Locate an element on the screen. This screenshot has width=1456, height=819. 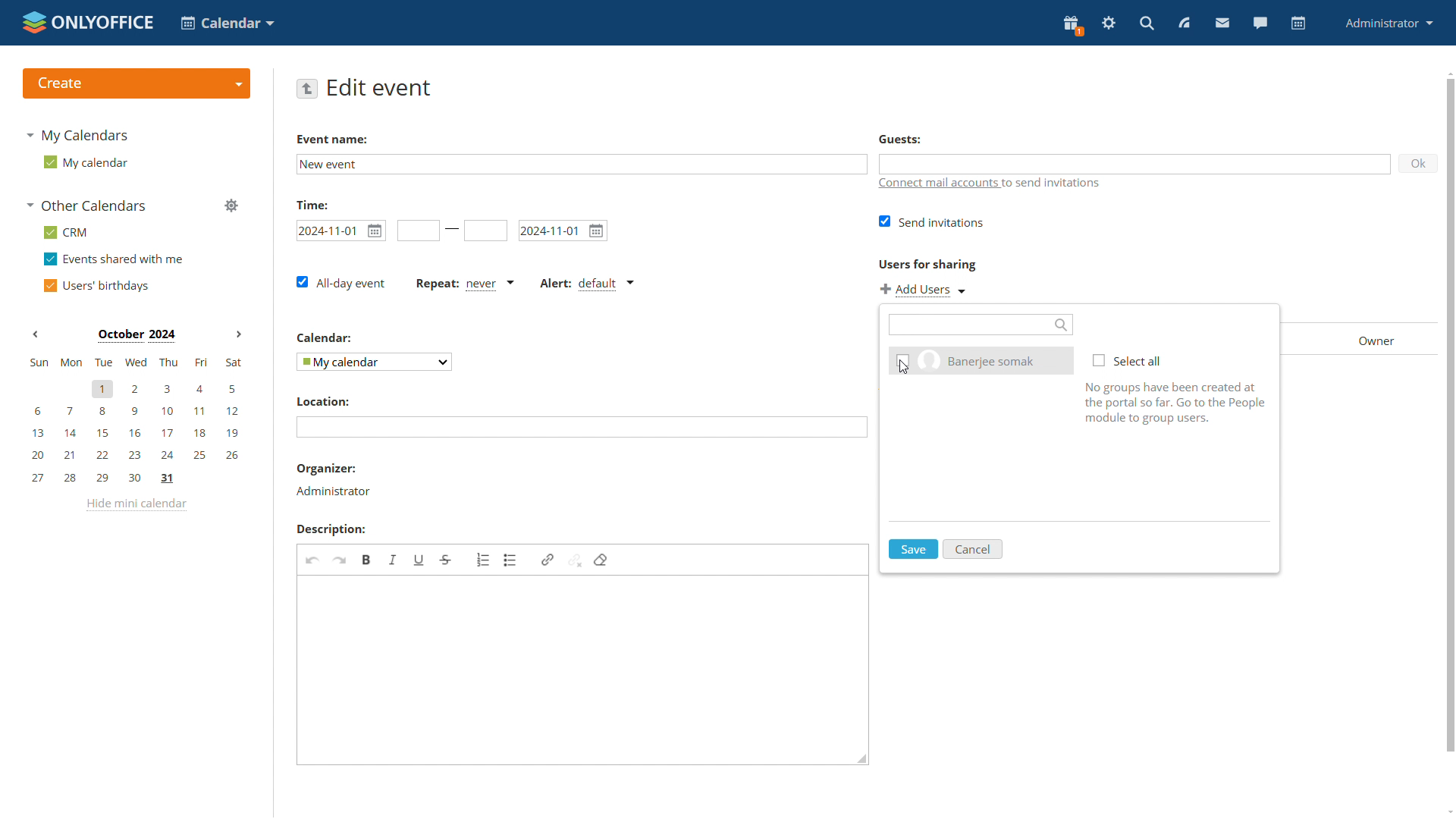
existing user checkbox is located at coordinates (981, 361).